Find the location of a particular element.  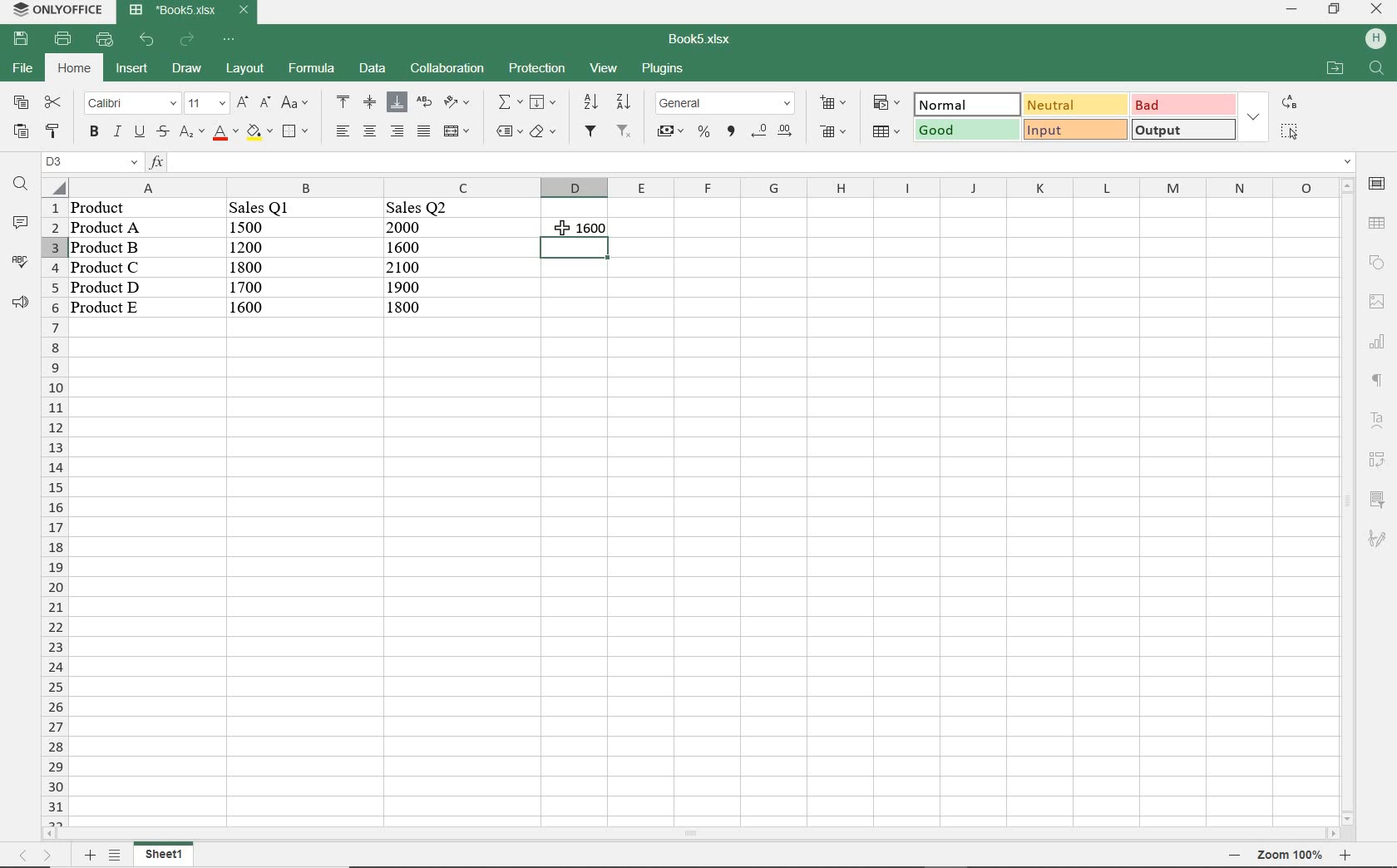

copy is located at coordinates (21, 101).